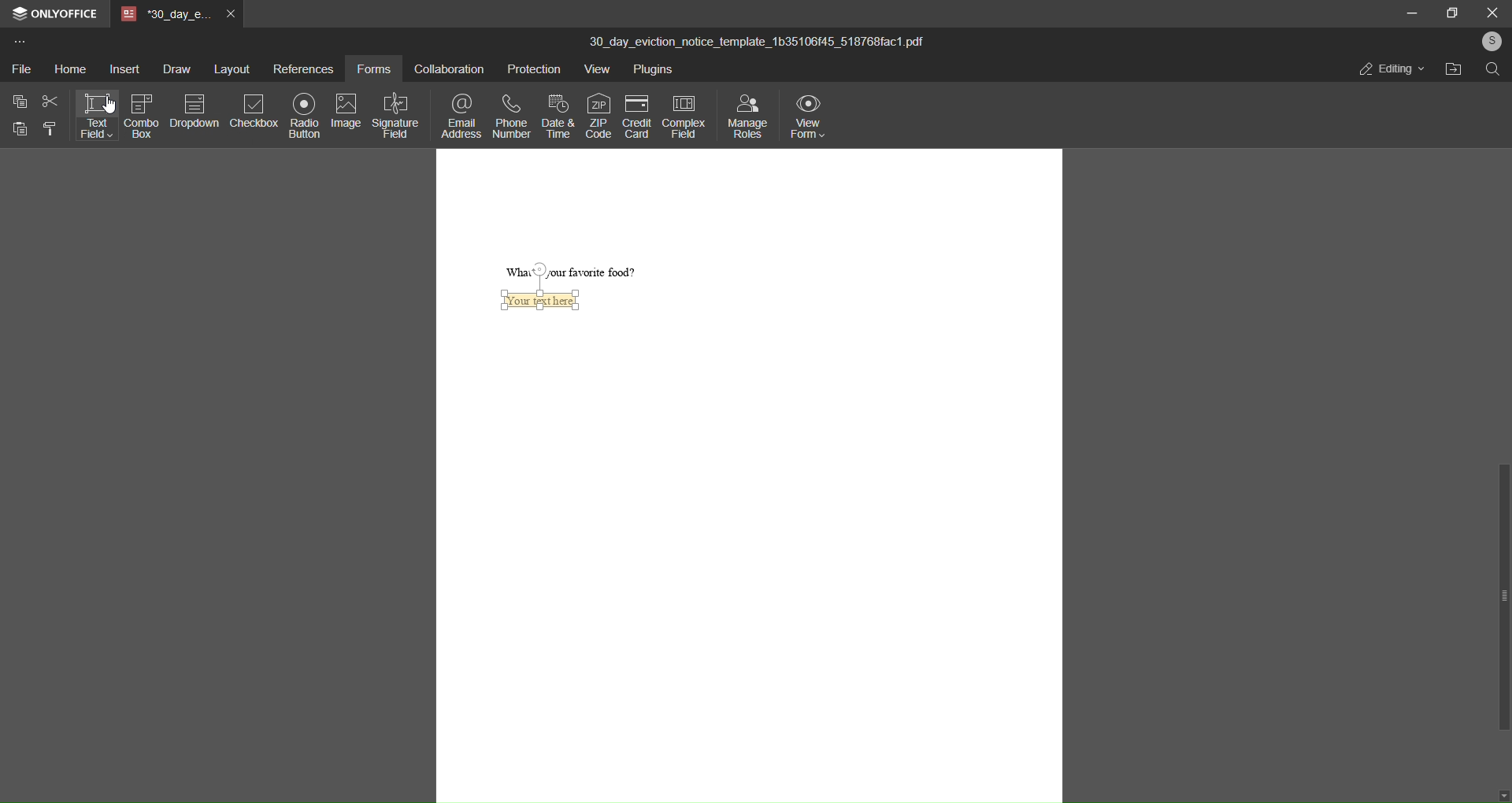 The height and width of the screenshot is (803, 1512). What do you see at coordinates (301, 69) in the screenshot?
I see `references` at bounding box center [301, 69].